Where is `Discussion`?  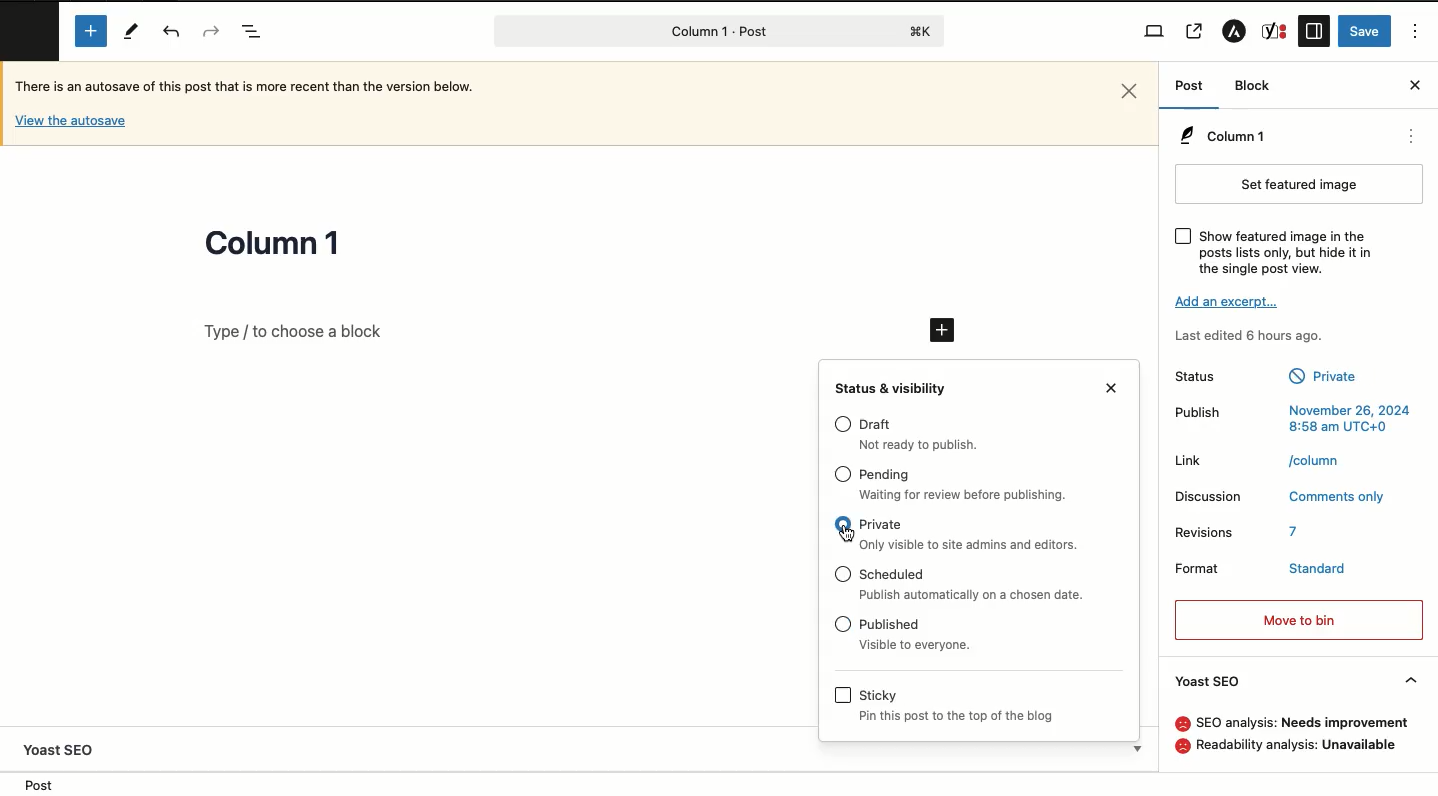 Discussion is located at coordinates (1211, 497).